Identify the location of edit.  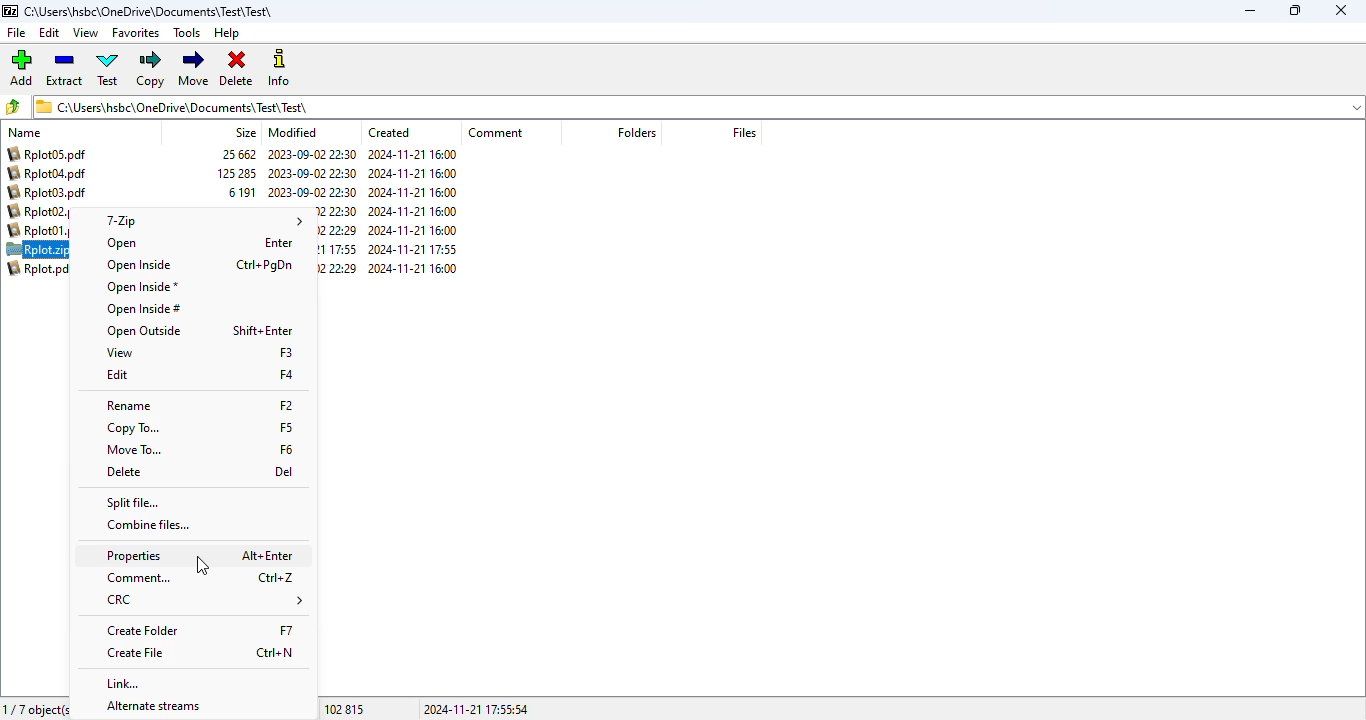
(118, 375).